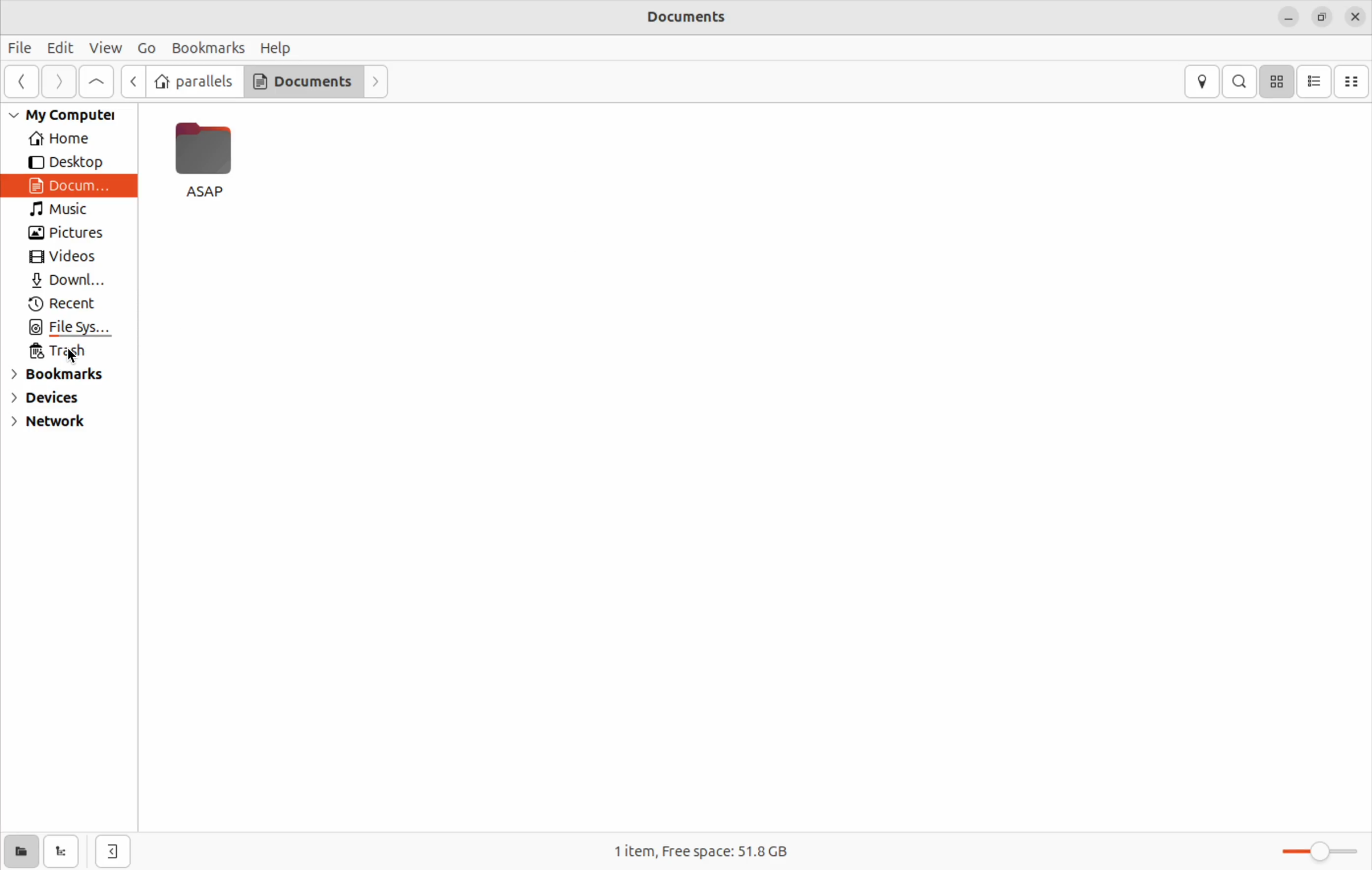 This screenshot has width=1372, height=870. What do you see at coordinates (101, 48) in the screenshot?
I see `View` at bounding box center [101, 48].